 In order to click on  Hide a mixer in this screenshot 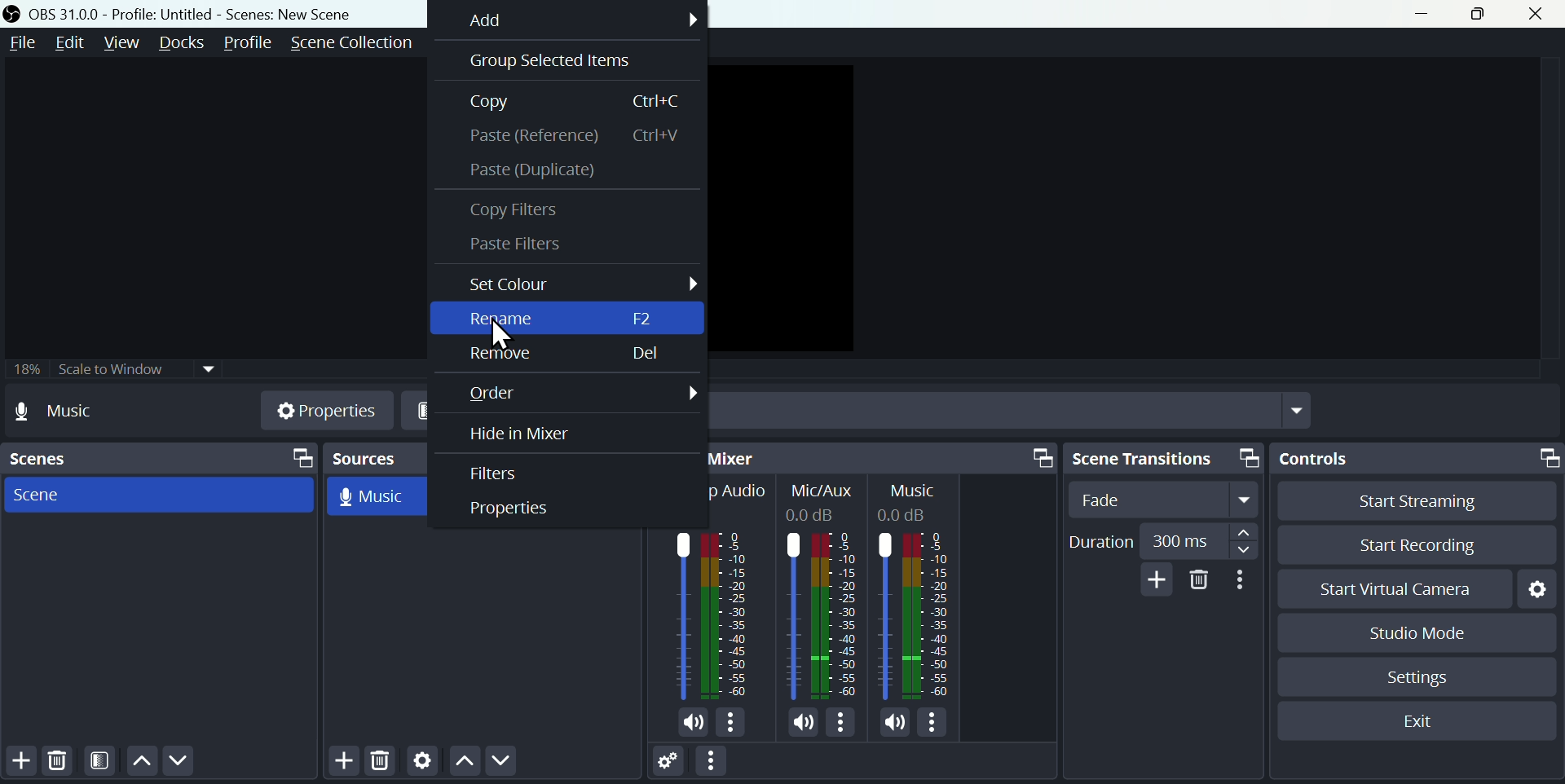, I will do `click(519, 431)`.